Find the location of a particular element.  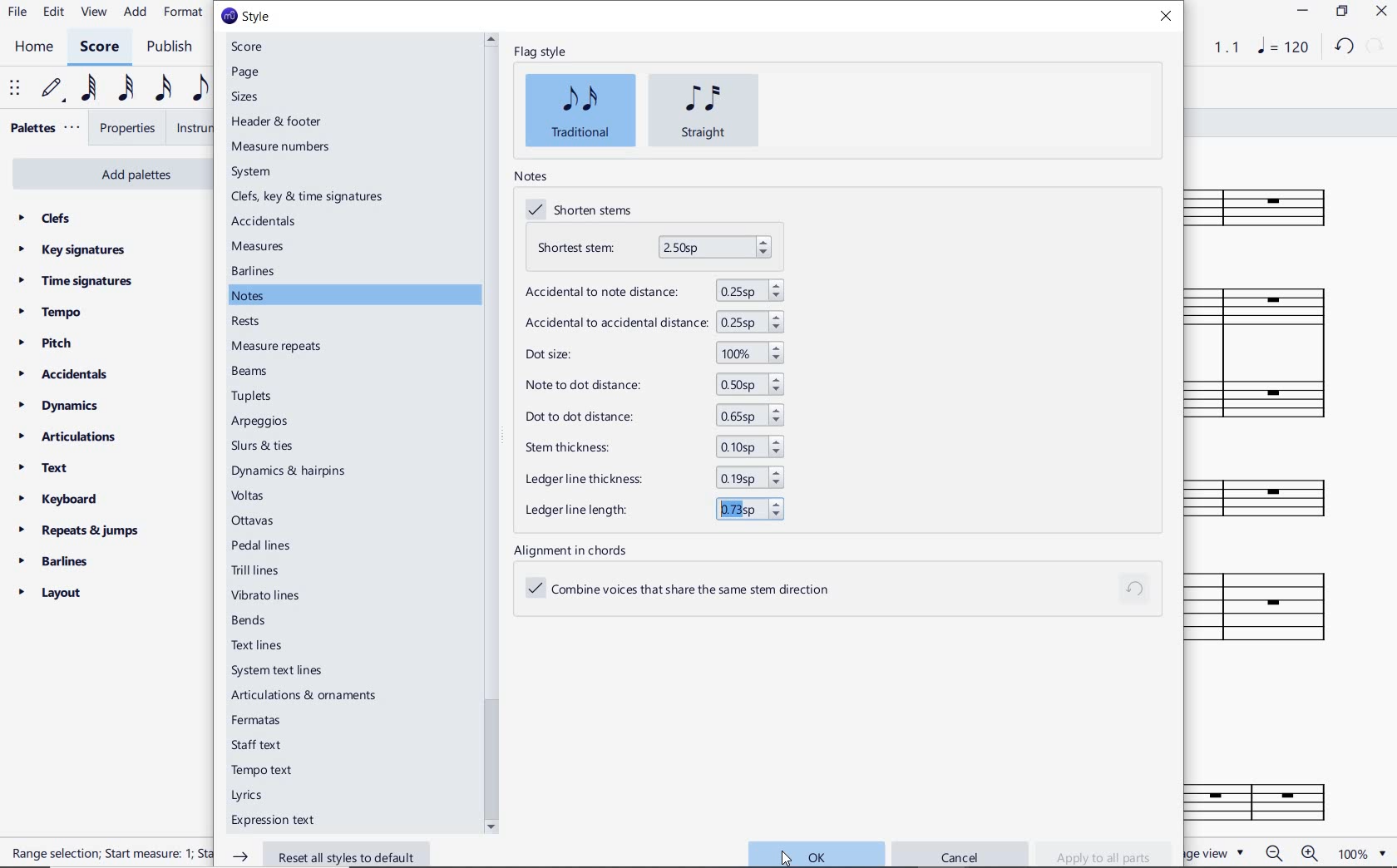

scrollbar is located at coordinates (491, 432).